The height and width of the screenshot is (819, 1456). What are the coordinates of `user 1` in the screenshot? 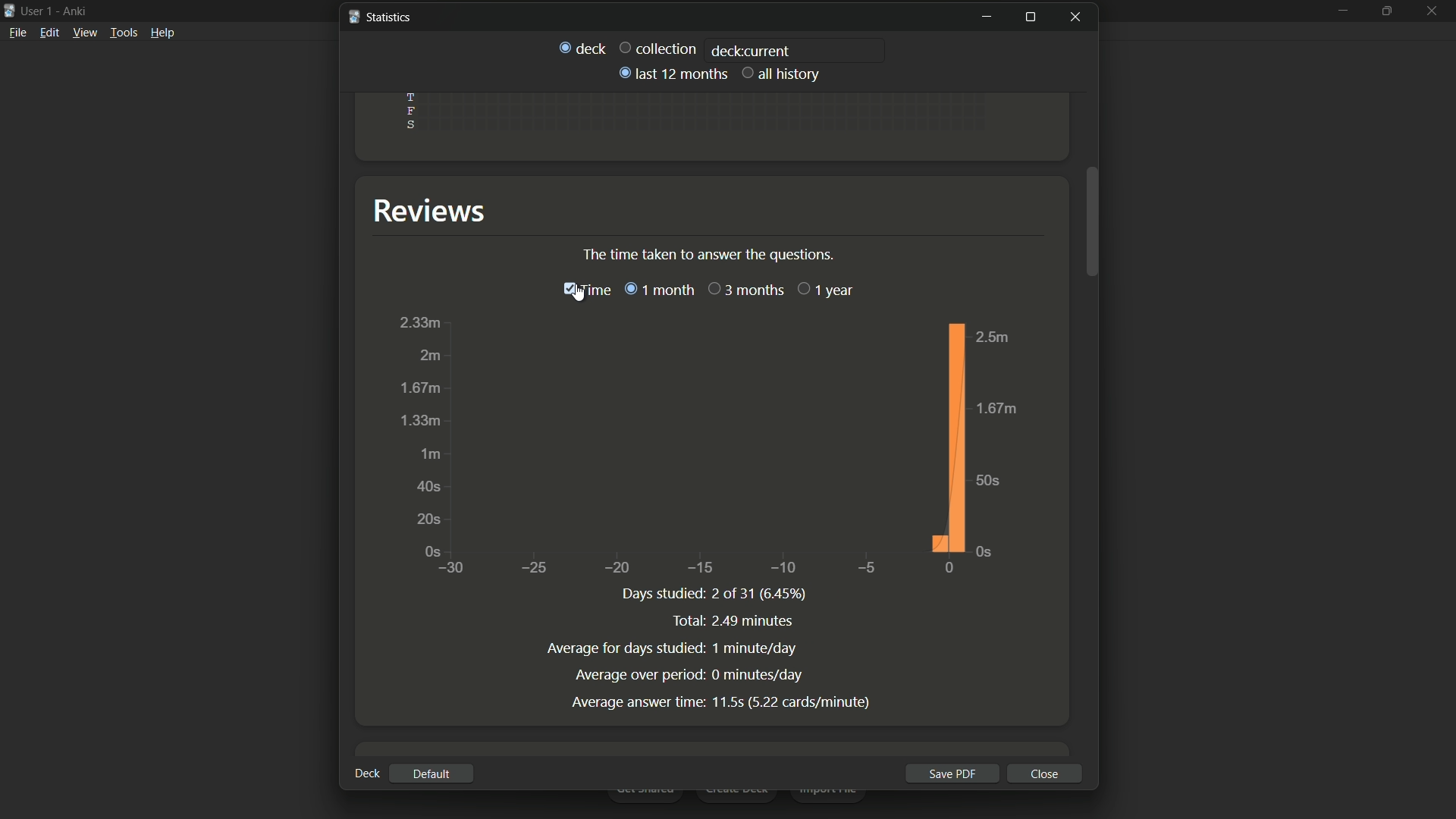 It's located at (39, 11).